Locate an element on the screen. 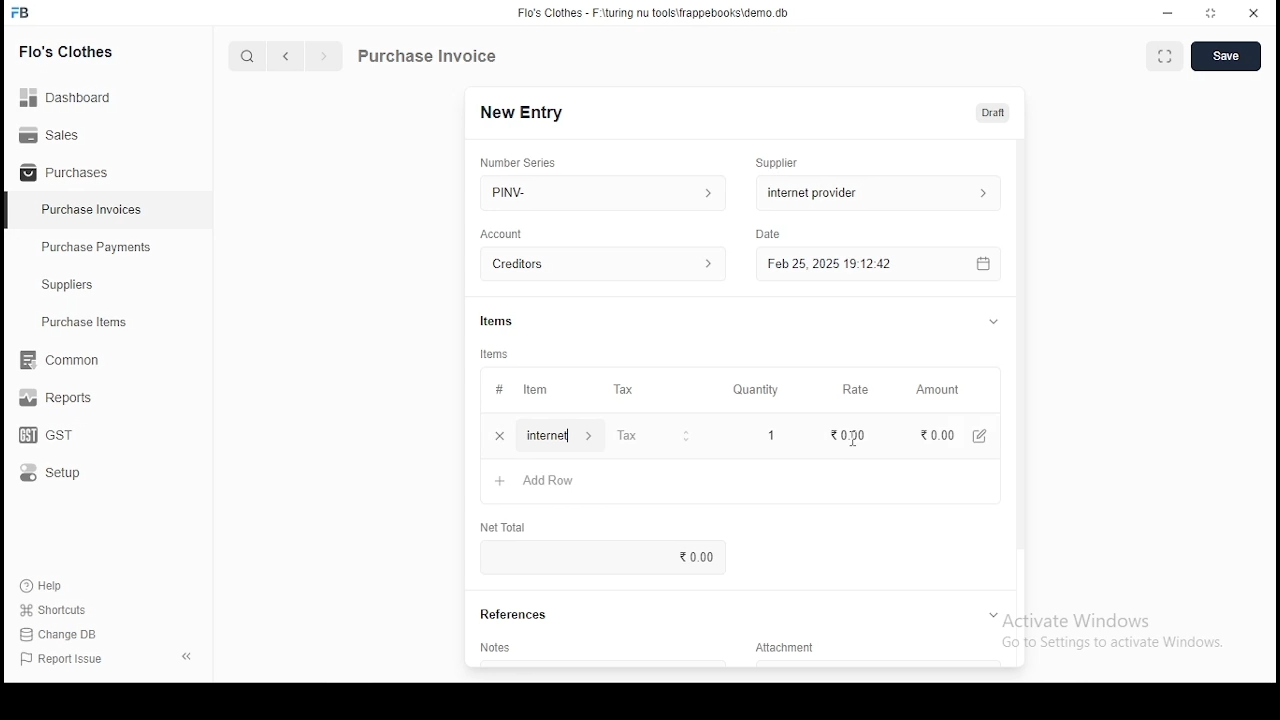  previous is located at coordinates (287, 57).